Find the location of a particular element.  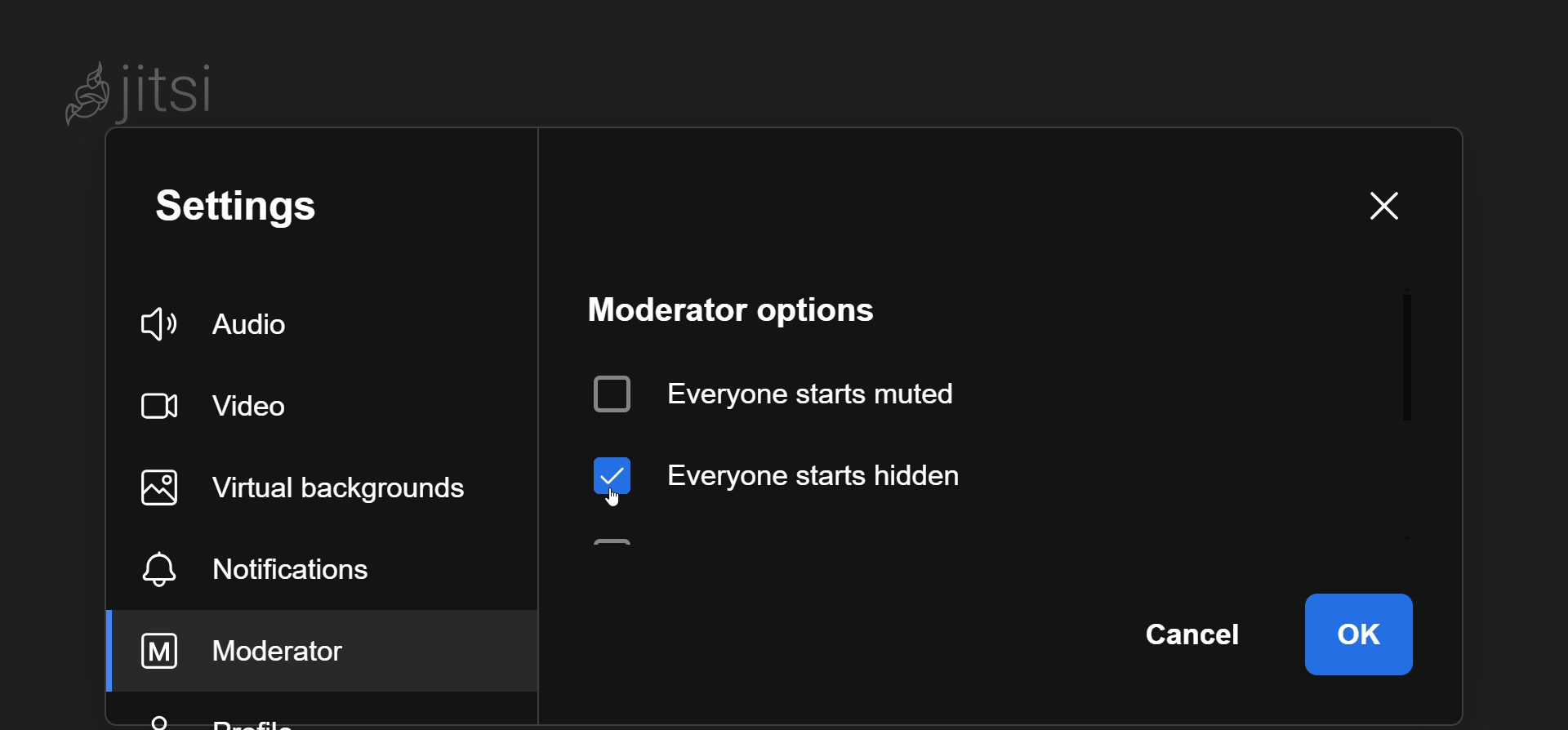

video is located at coordinates (222, 405).